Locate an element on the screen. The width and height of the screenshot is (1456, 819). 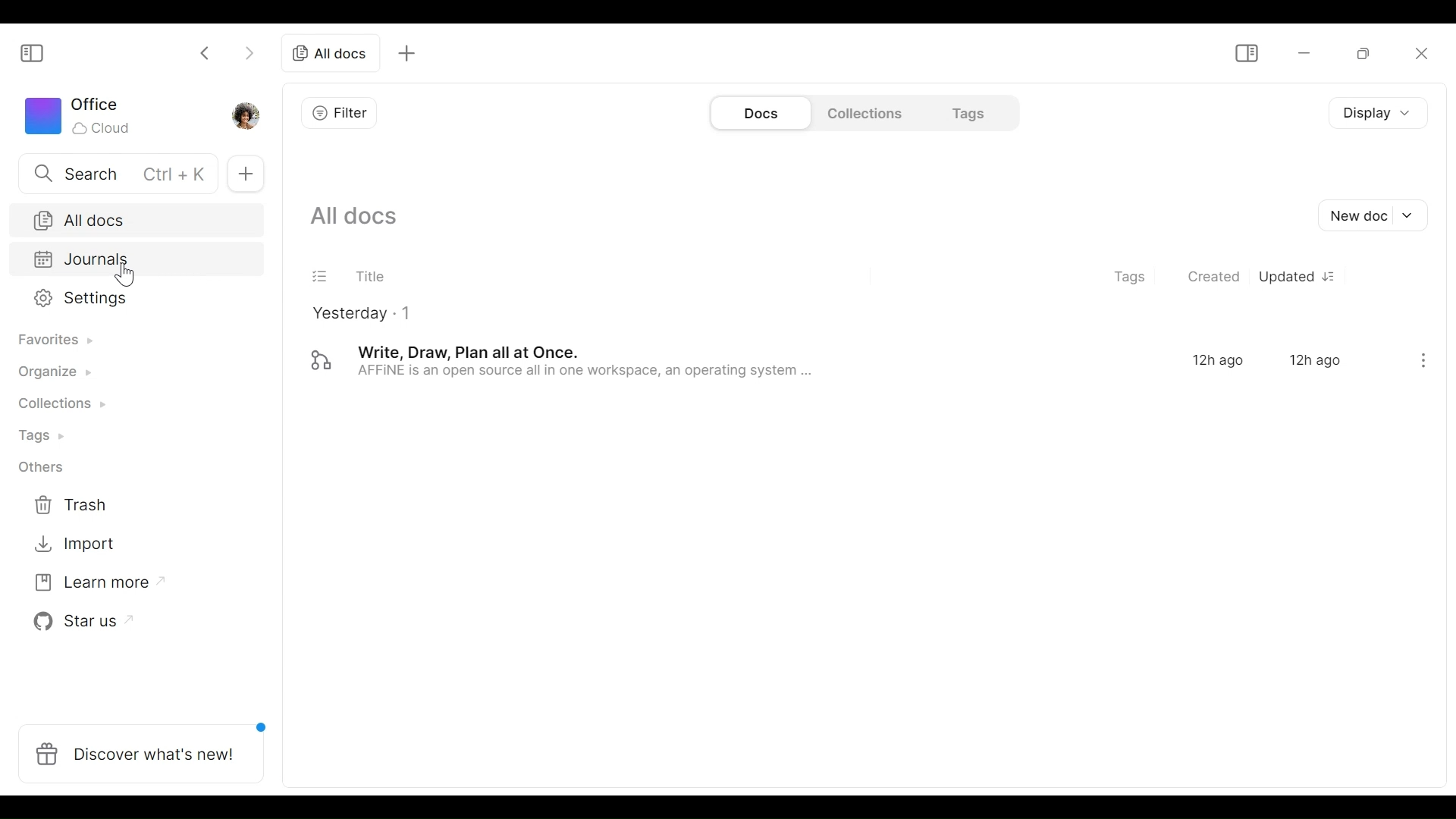
cursor is located at coordinates (126, 276).